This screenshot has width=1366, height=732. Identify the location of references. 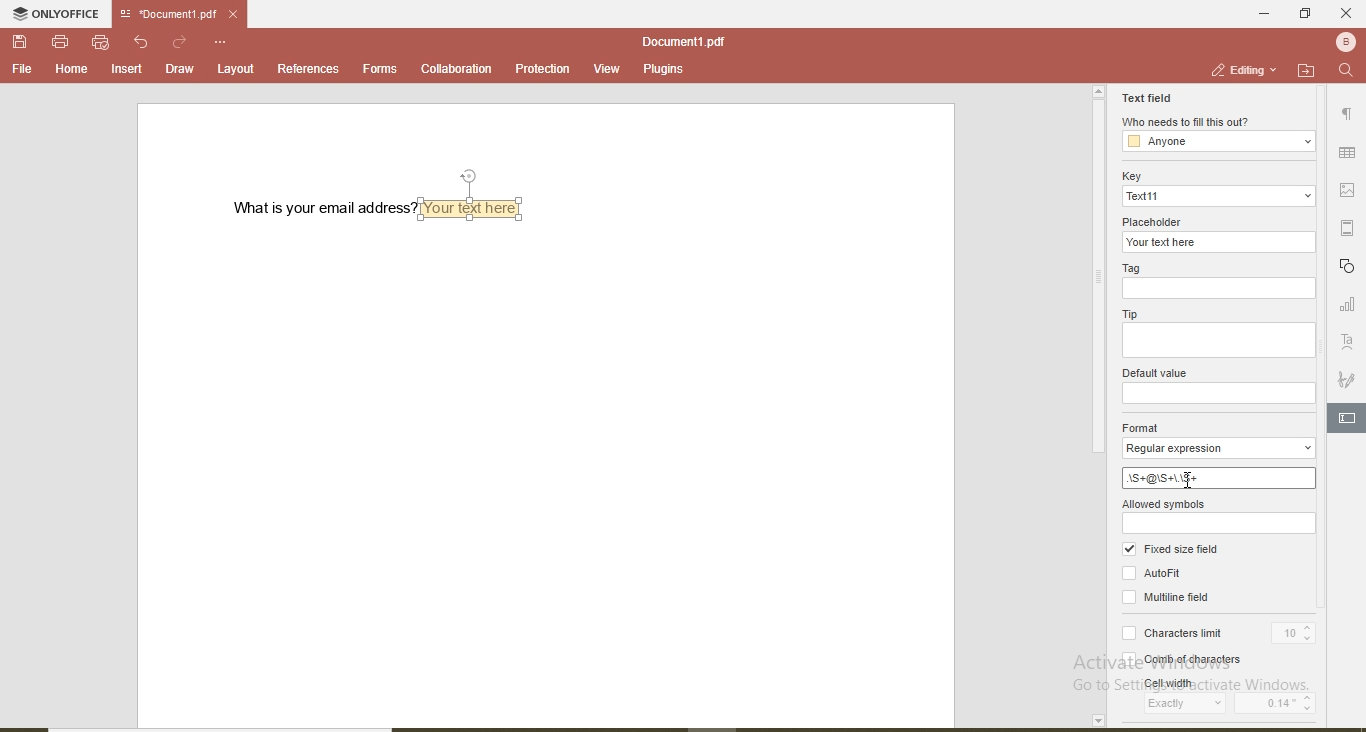
(308, 68).